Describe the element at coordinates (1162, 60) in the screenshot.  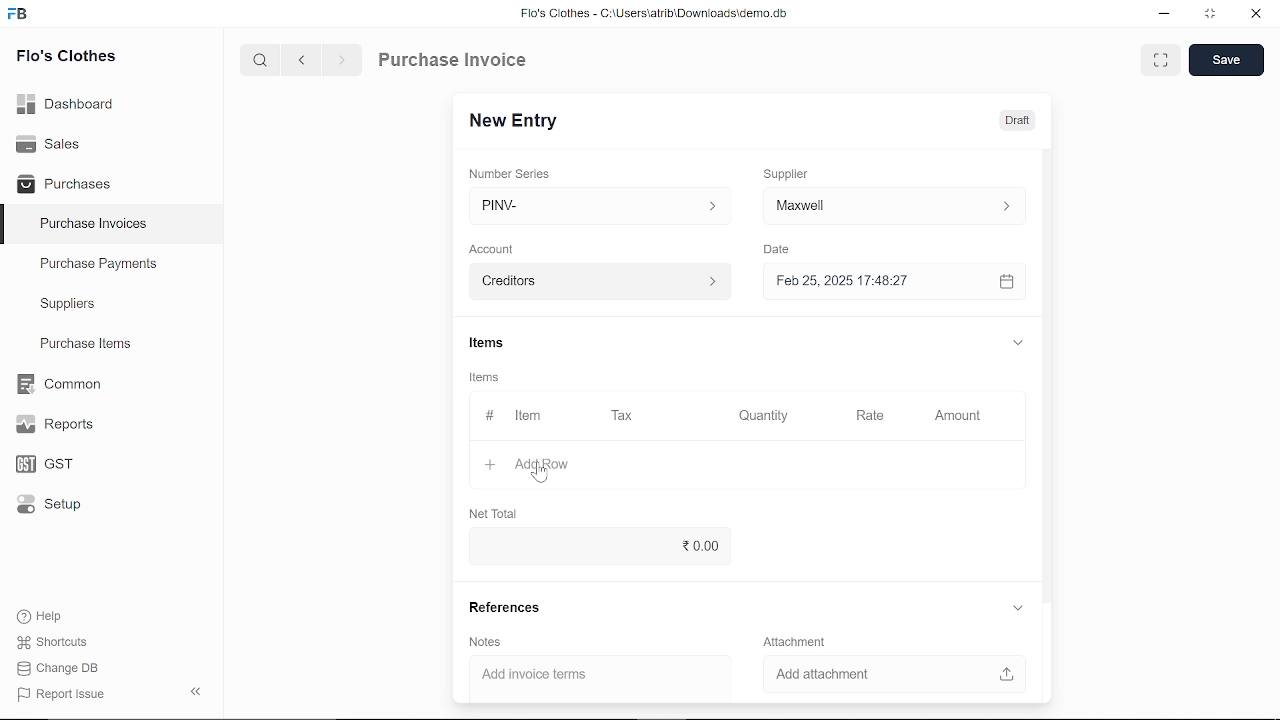
I see `full view` at that location.